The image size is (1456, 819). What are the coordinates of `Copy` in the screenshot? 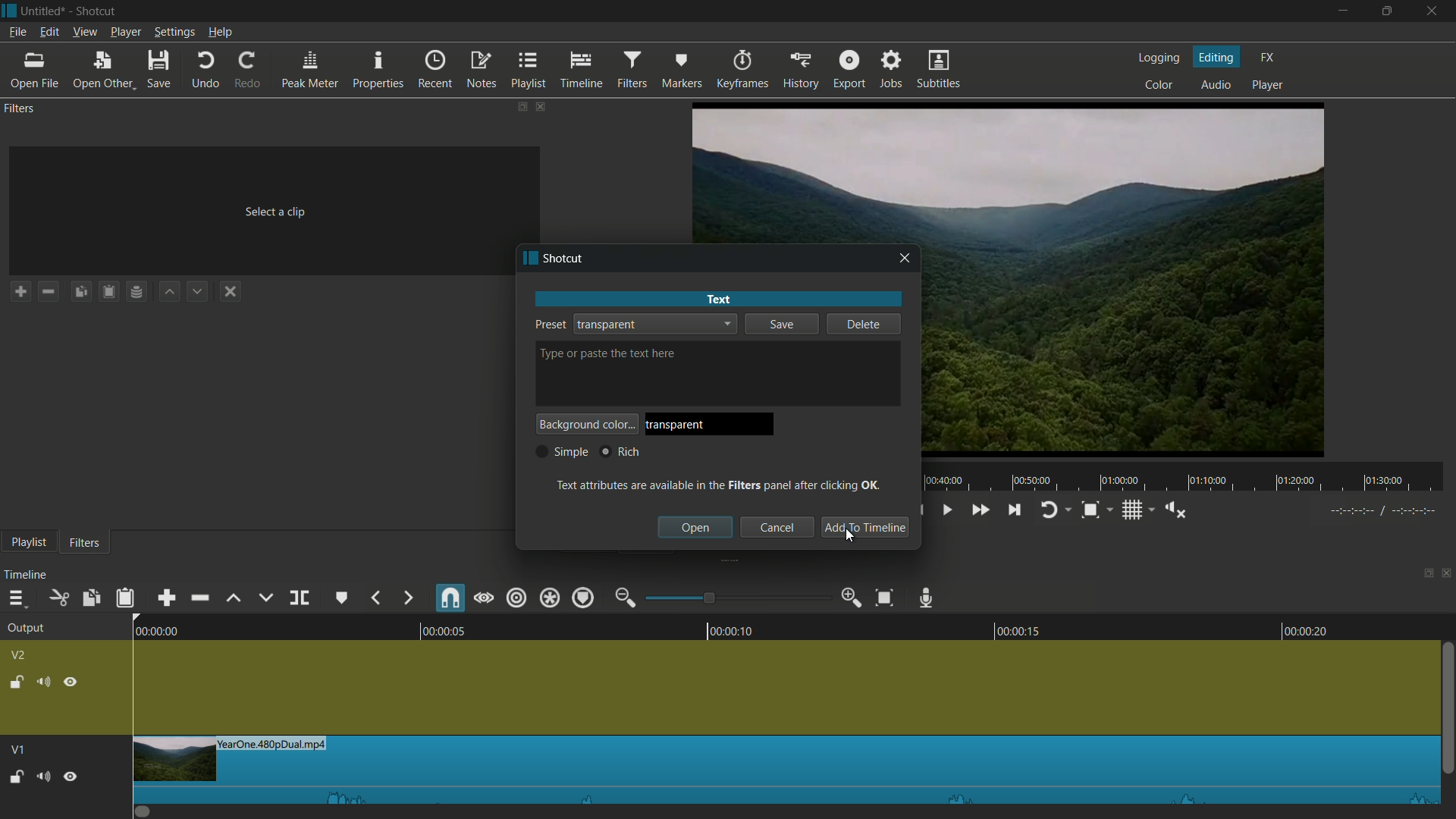 It's located at (80, 293).